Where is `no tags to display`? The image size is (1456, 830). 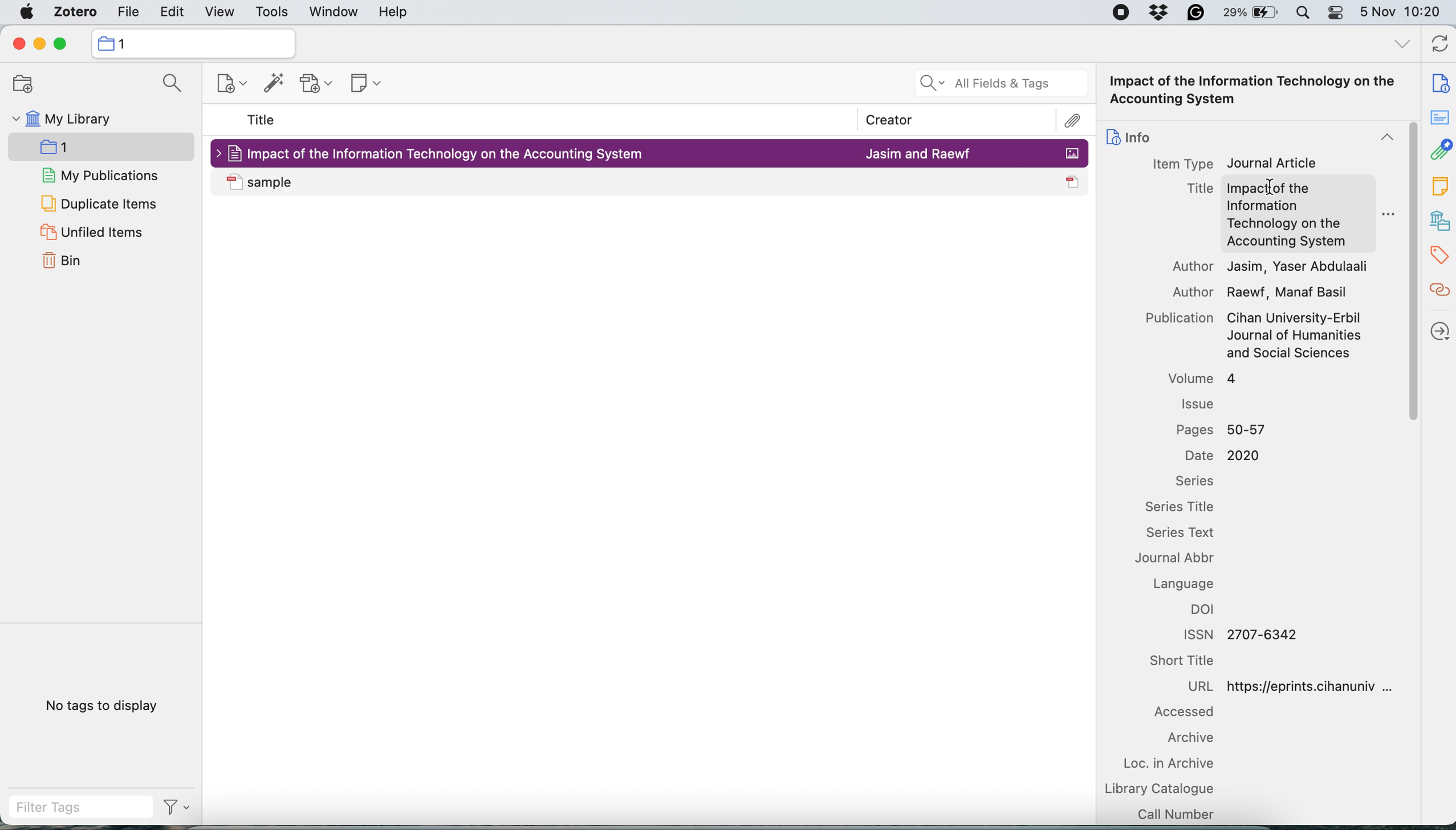 no tags to display is located at coordinates (102, 705).